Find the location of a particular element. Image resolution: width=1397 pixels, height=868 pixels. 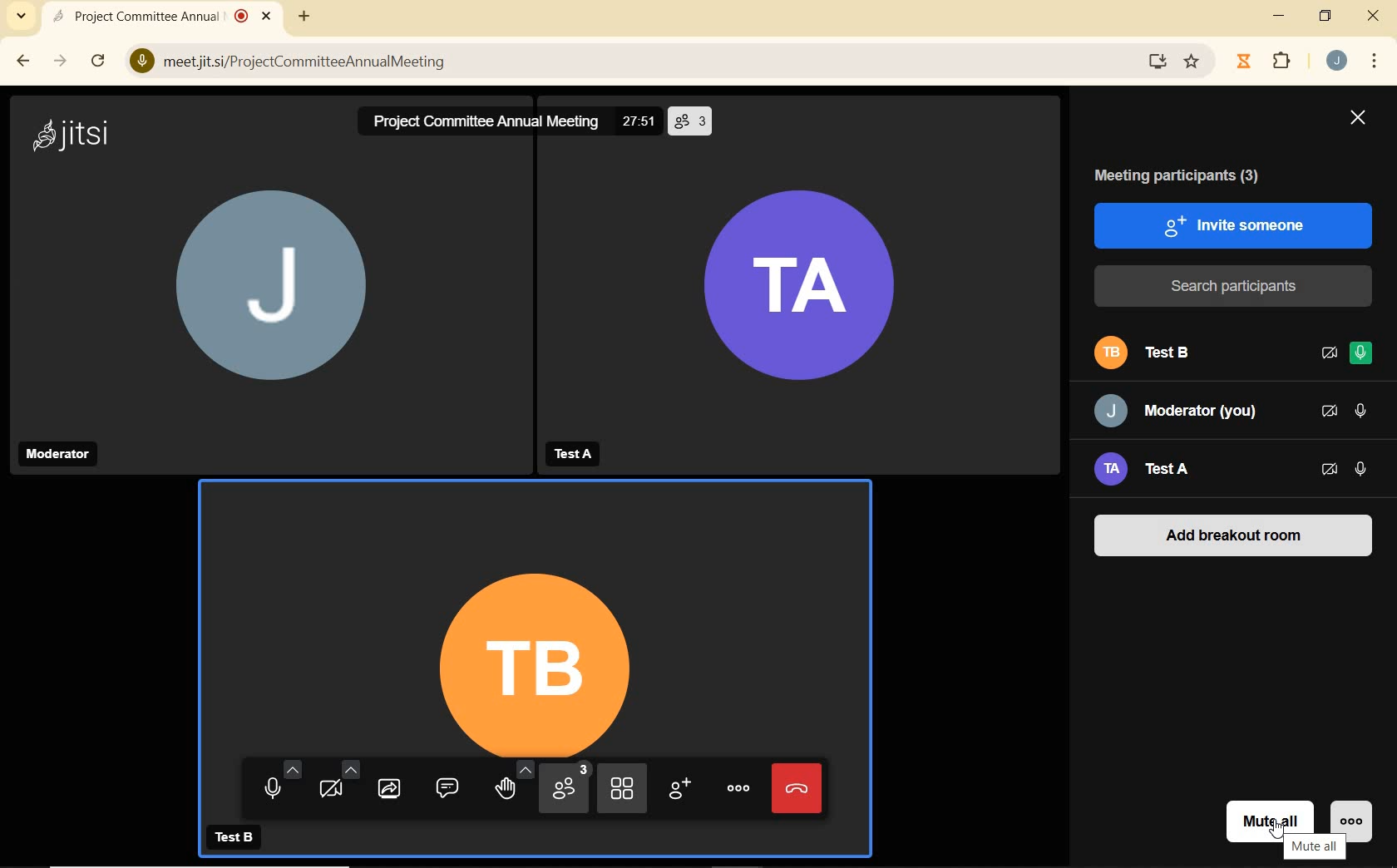

Project Committee Annual Meeting is located at coordinates (483, 121).